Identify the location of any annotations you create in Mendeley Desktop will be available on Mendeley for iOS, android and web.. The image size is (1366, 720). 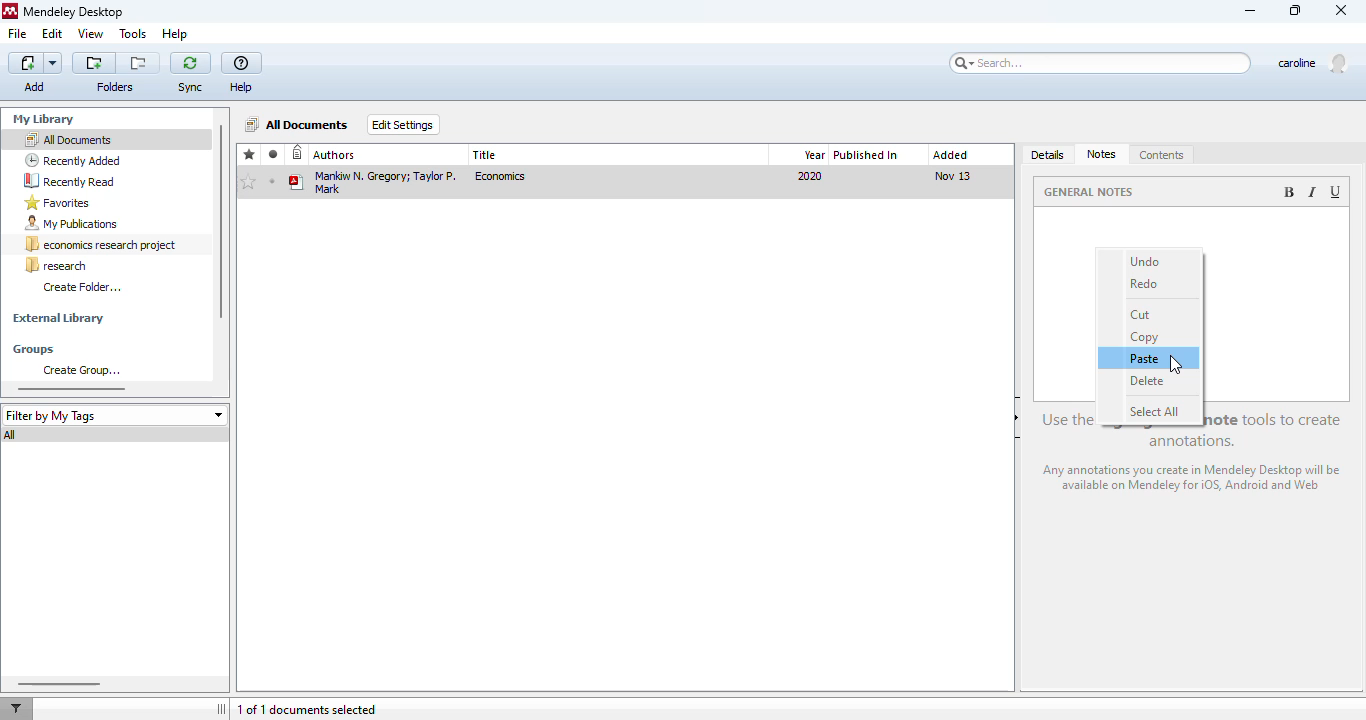
(1195, 480).